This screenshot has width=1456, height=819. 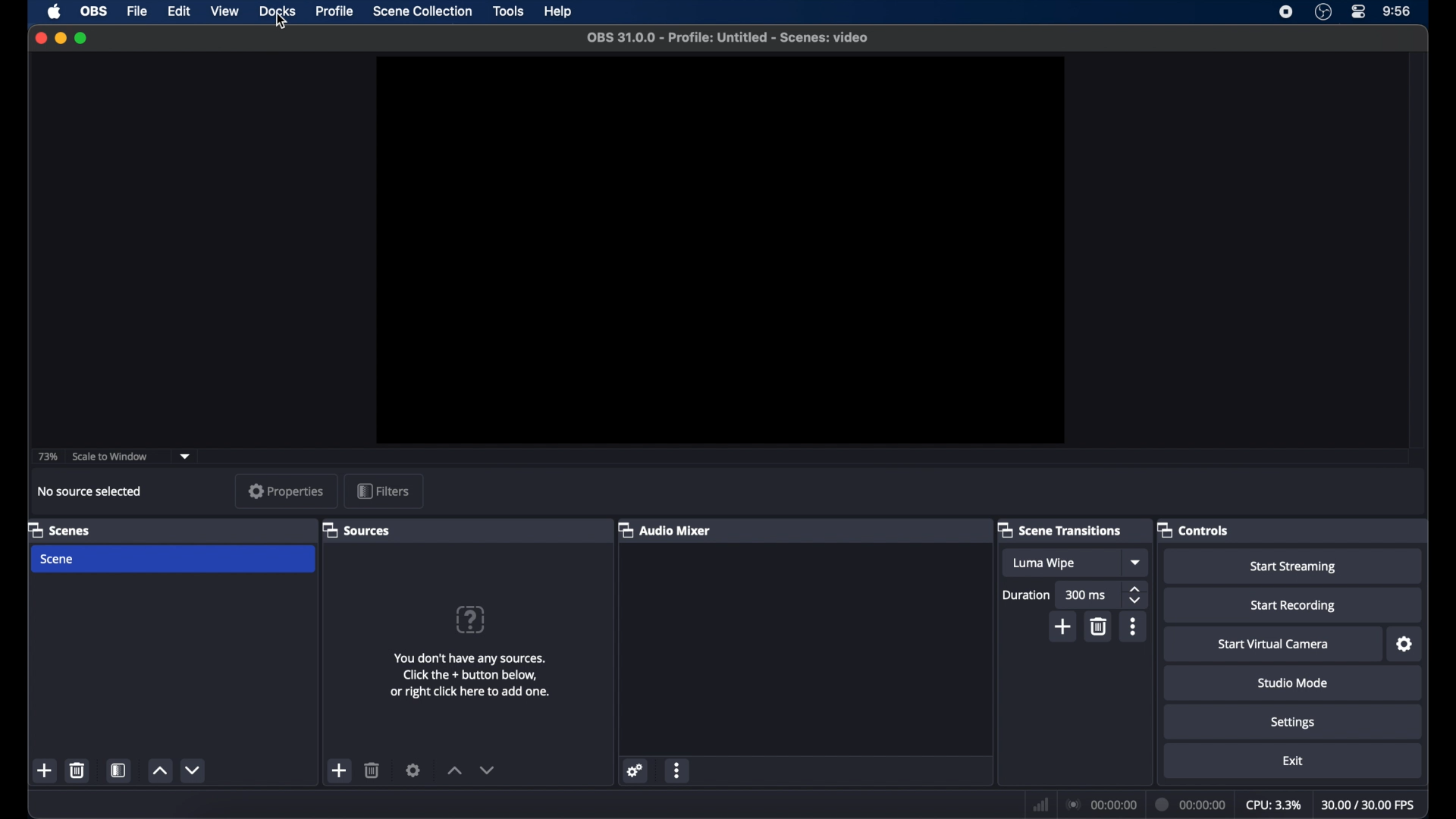 I want to click on duration, so click(x=1026, y=595).